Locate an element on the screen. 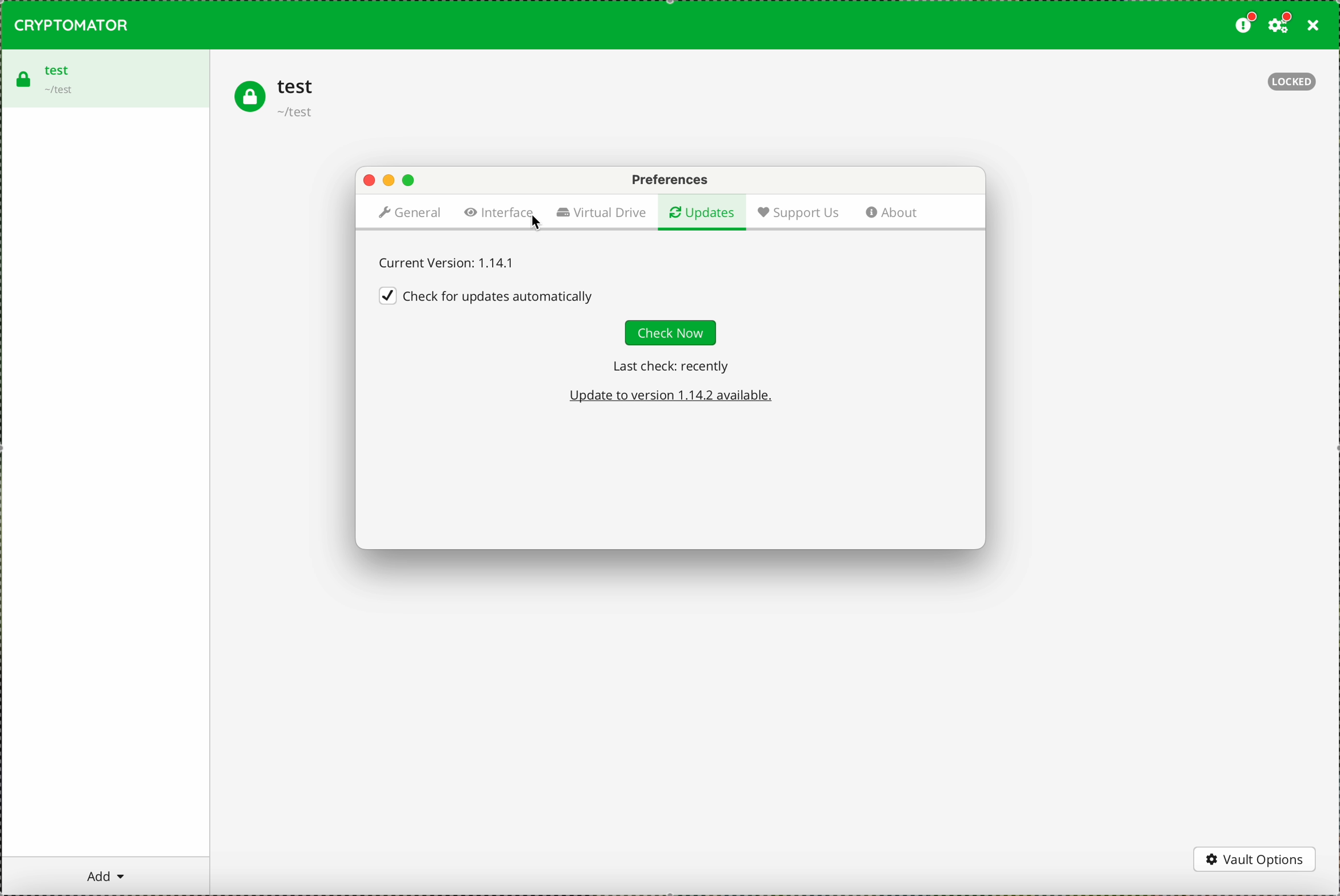  close popup is located at coordinates (370, 181).